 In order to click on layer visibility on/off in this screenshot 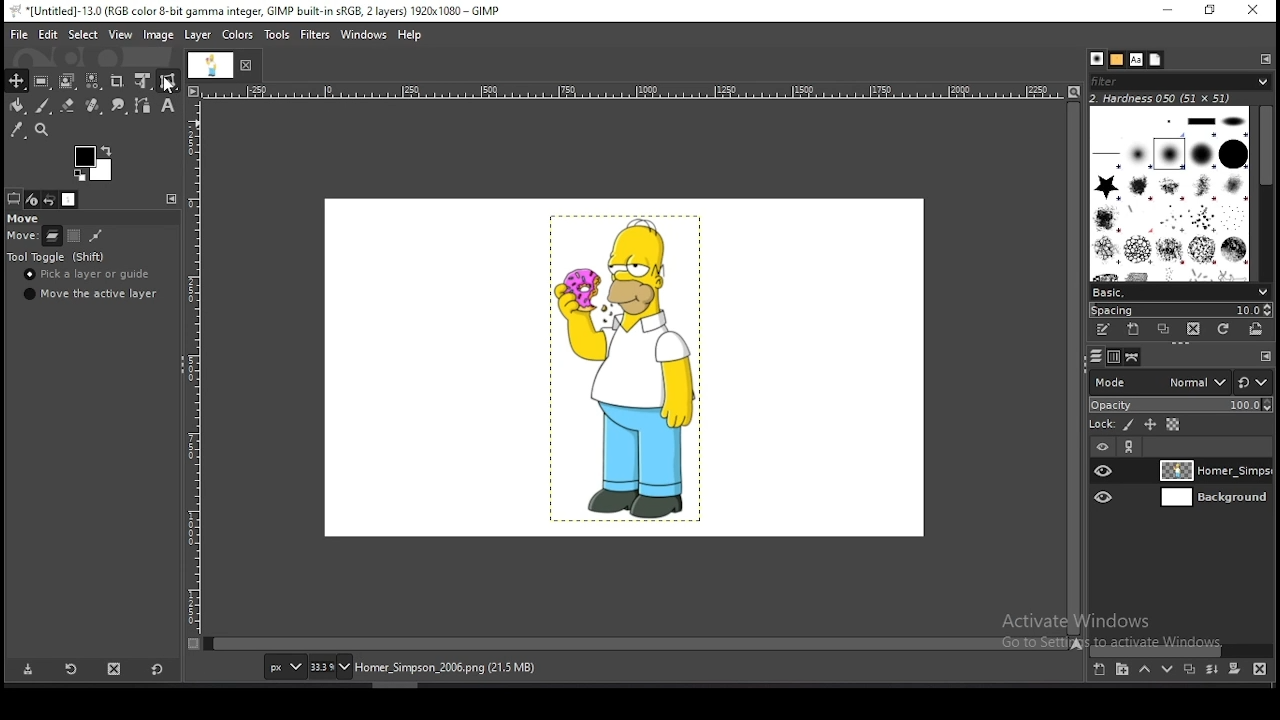, I will do `click(1105, 471)`.